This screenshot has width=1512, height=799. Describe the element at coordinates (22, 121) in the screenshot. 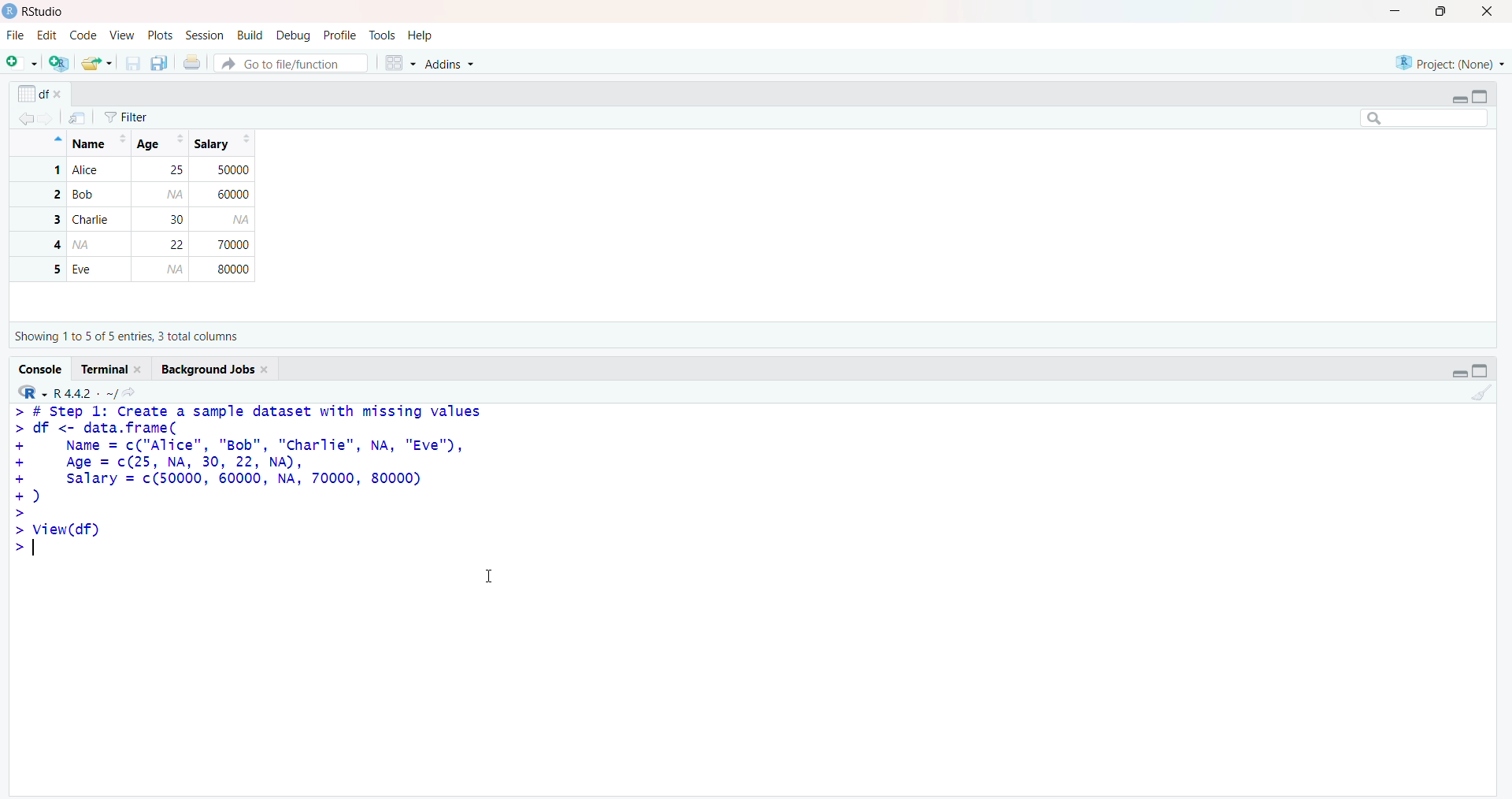

I see `Go back to the previous source location (Ctrl + F9)` at that location.